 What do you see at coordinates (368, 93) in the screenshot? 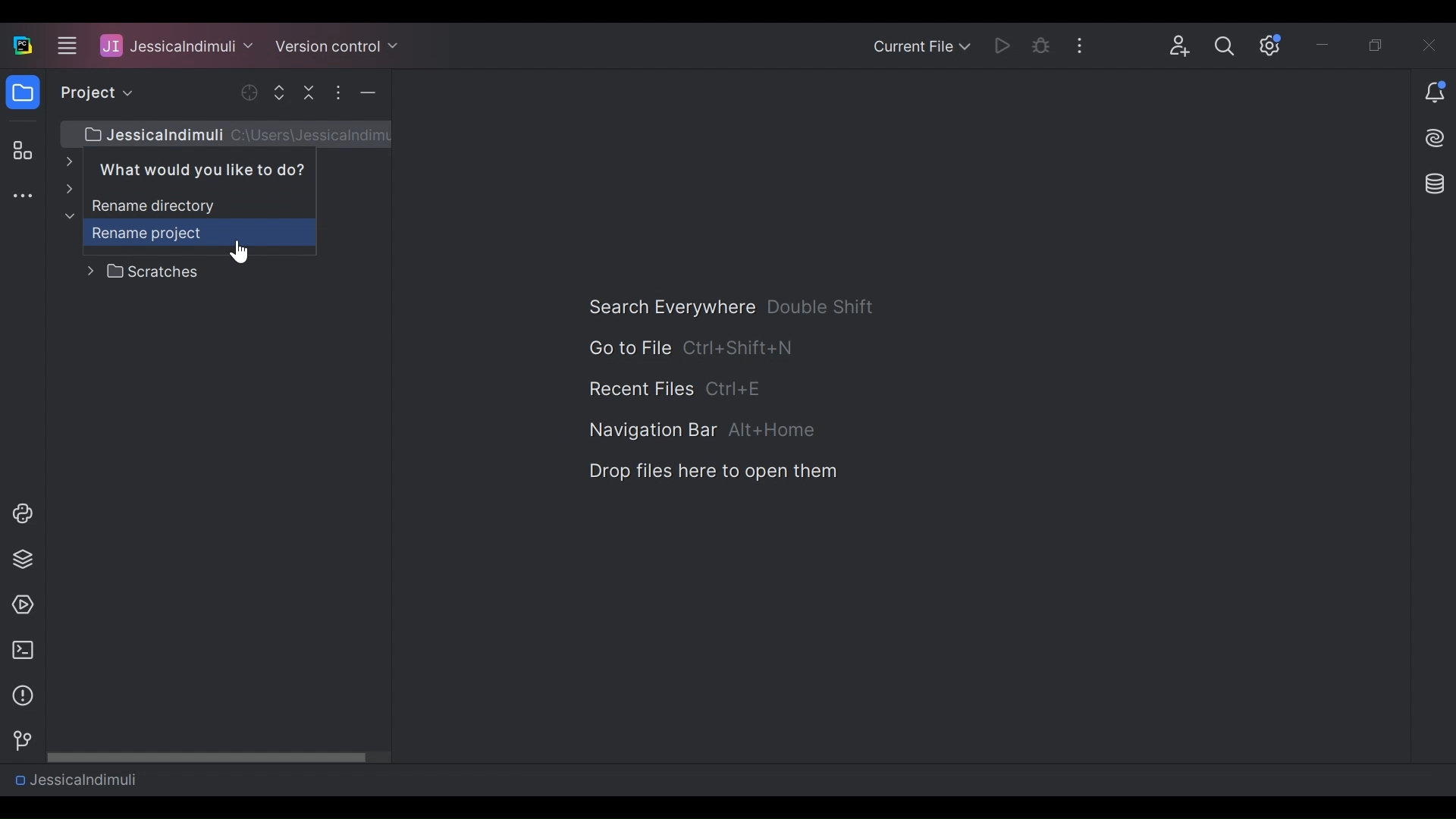
I see `Hide` at bounding box center [368, 93].